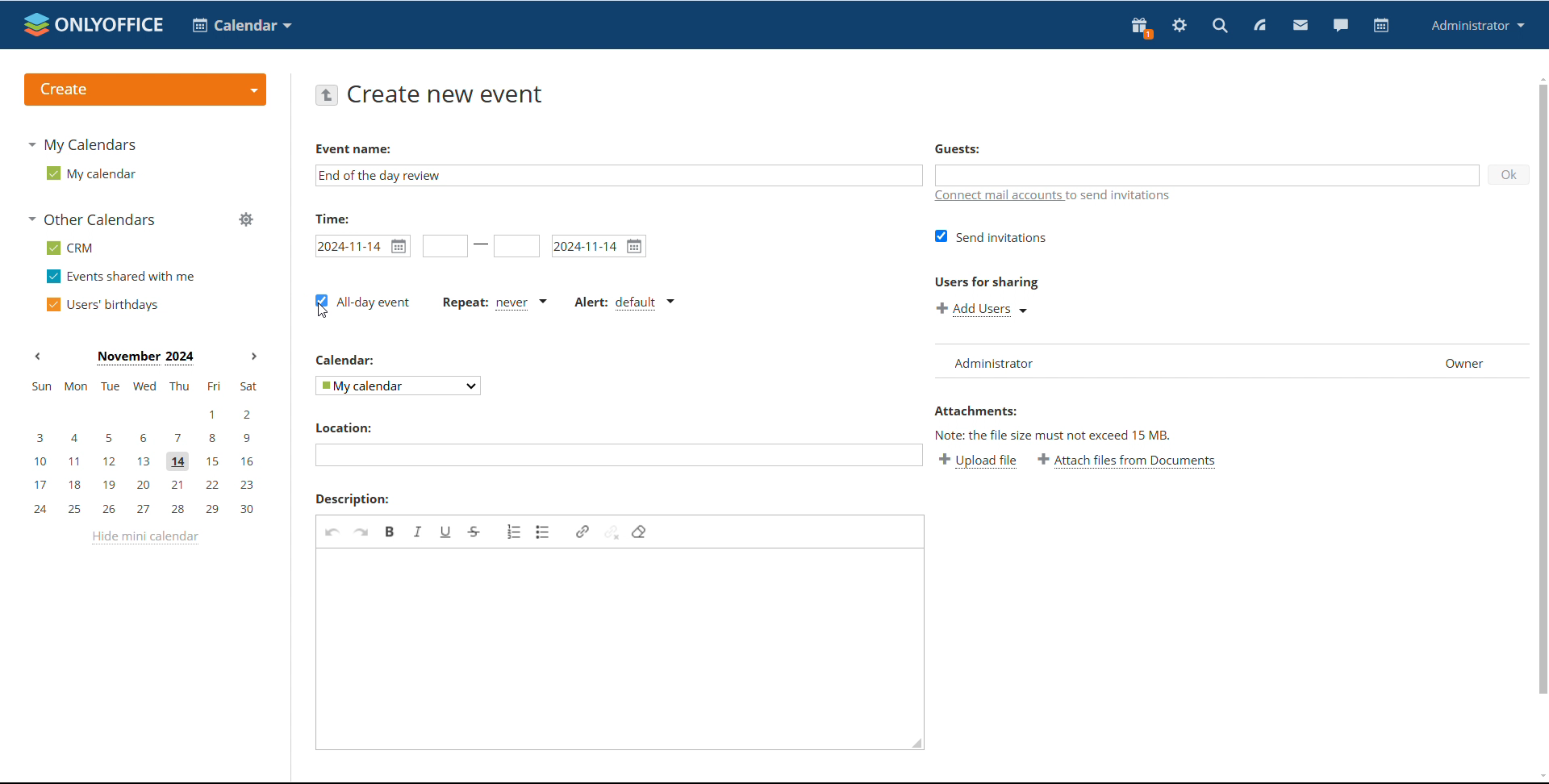 The image size is (1549, 784). What do you see at coordinates (254, 357) in the screenshot?
I see `next month` at bounding box center [254, 357].